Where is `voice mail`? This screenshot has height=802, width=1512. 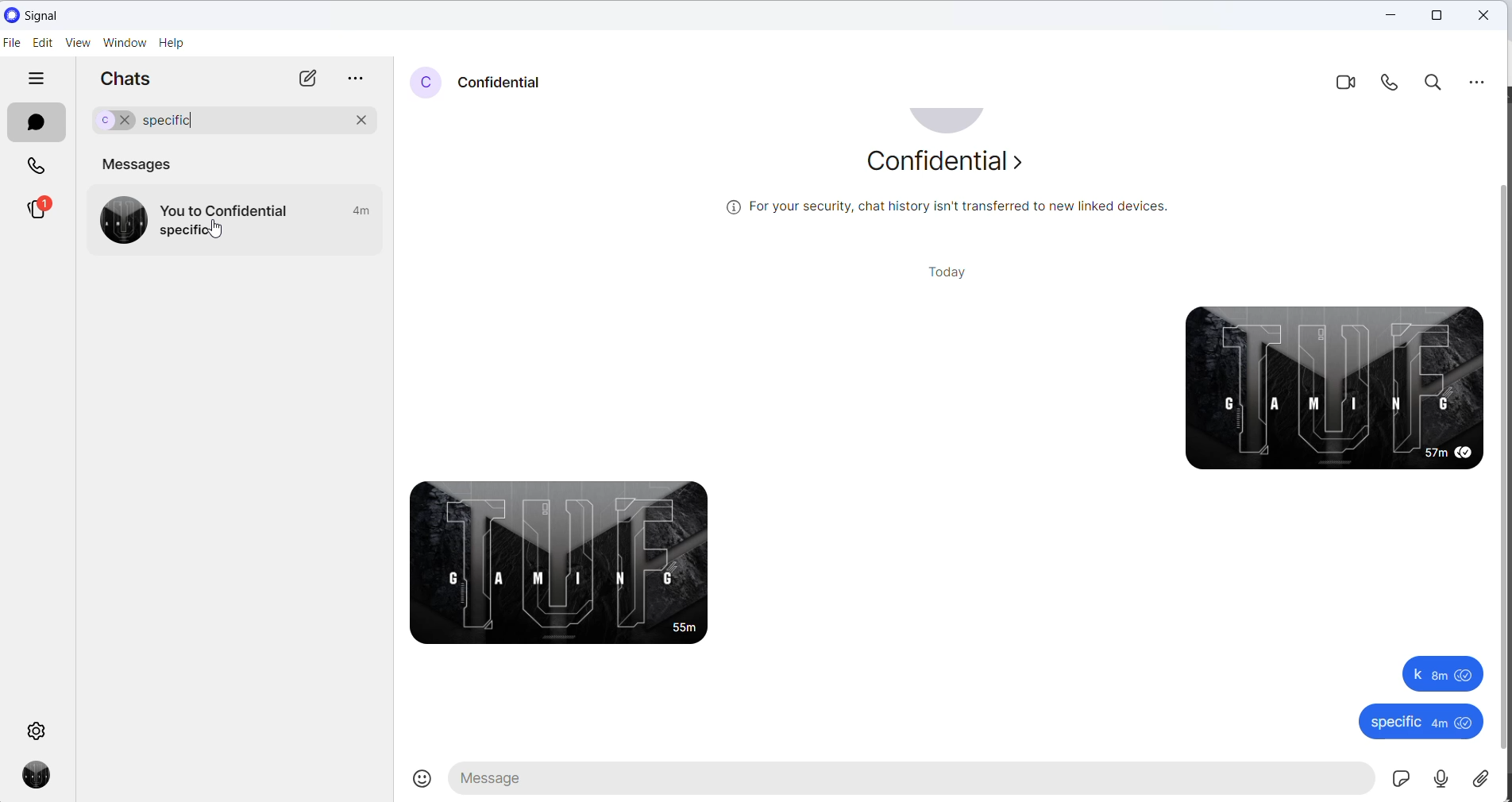 voice mail is located at coordinates (1439, 781).